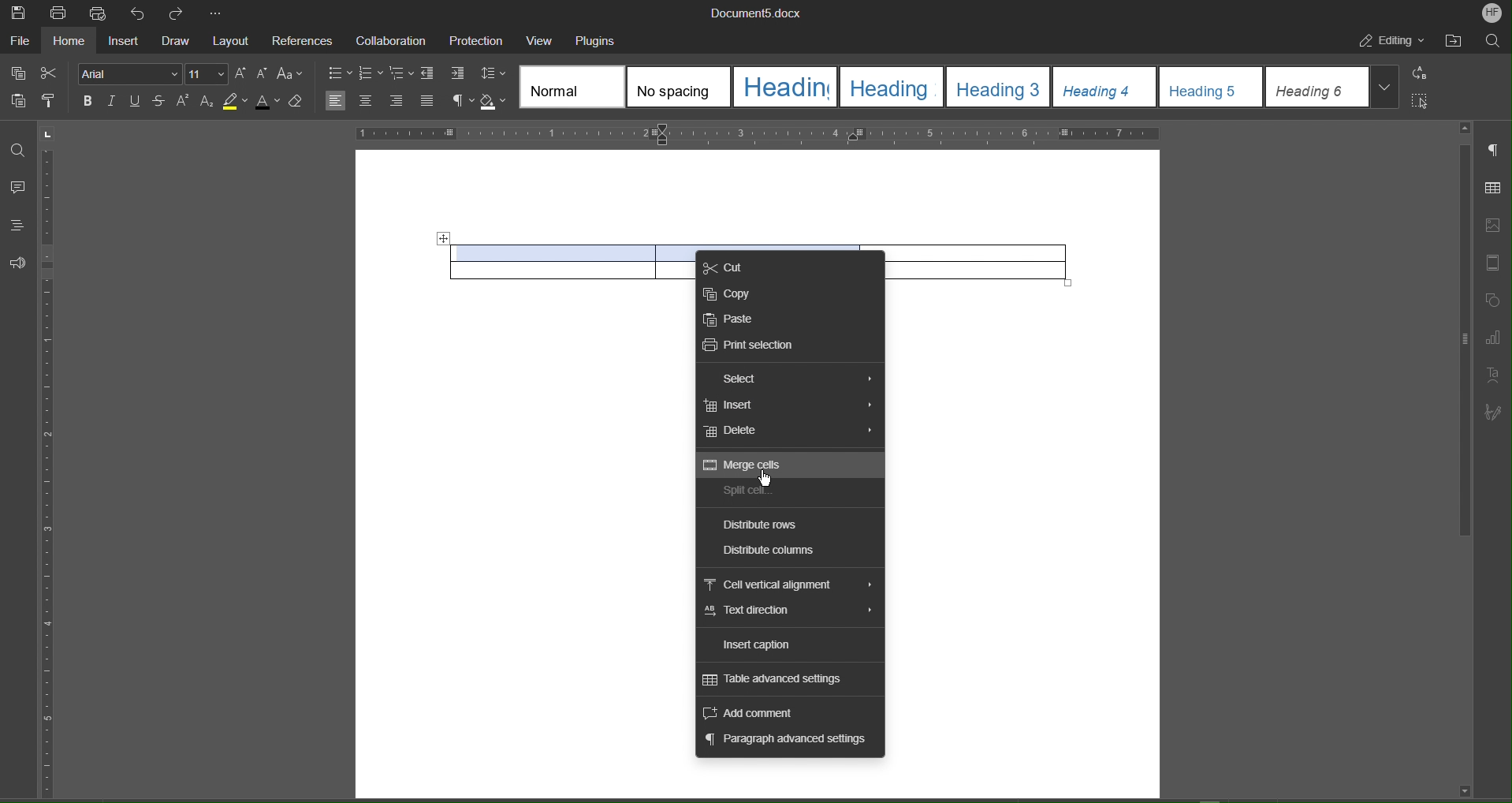  Describe the element at coordinates (18, 151) in the screenshot. I see `Find` at that location.